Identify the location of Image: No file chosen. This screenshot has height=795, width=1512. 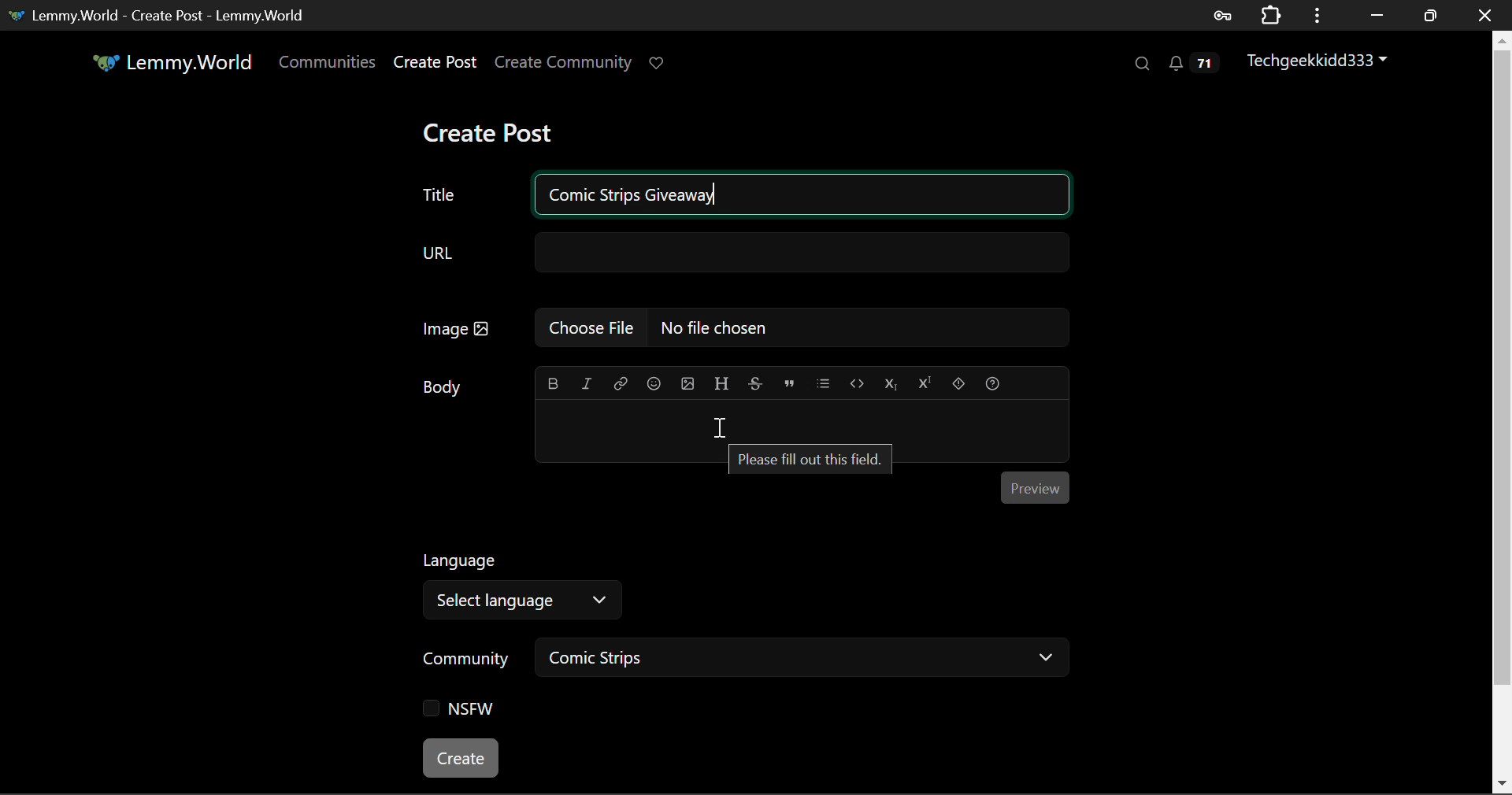
(743, 325).